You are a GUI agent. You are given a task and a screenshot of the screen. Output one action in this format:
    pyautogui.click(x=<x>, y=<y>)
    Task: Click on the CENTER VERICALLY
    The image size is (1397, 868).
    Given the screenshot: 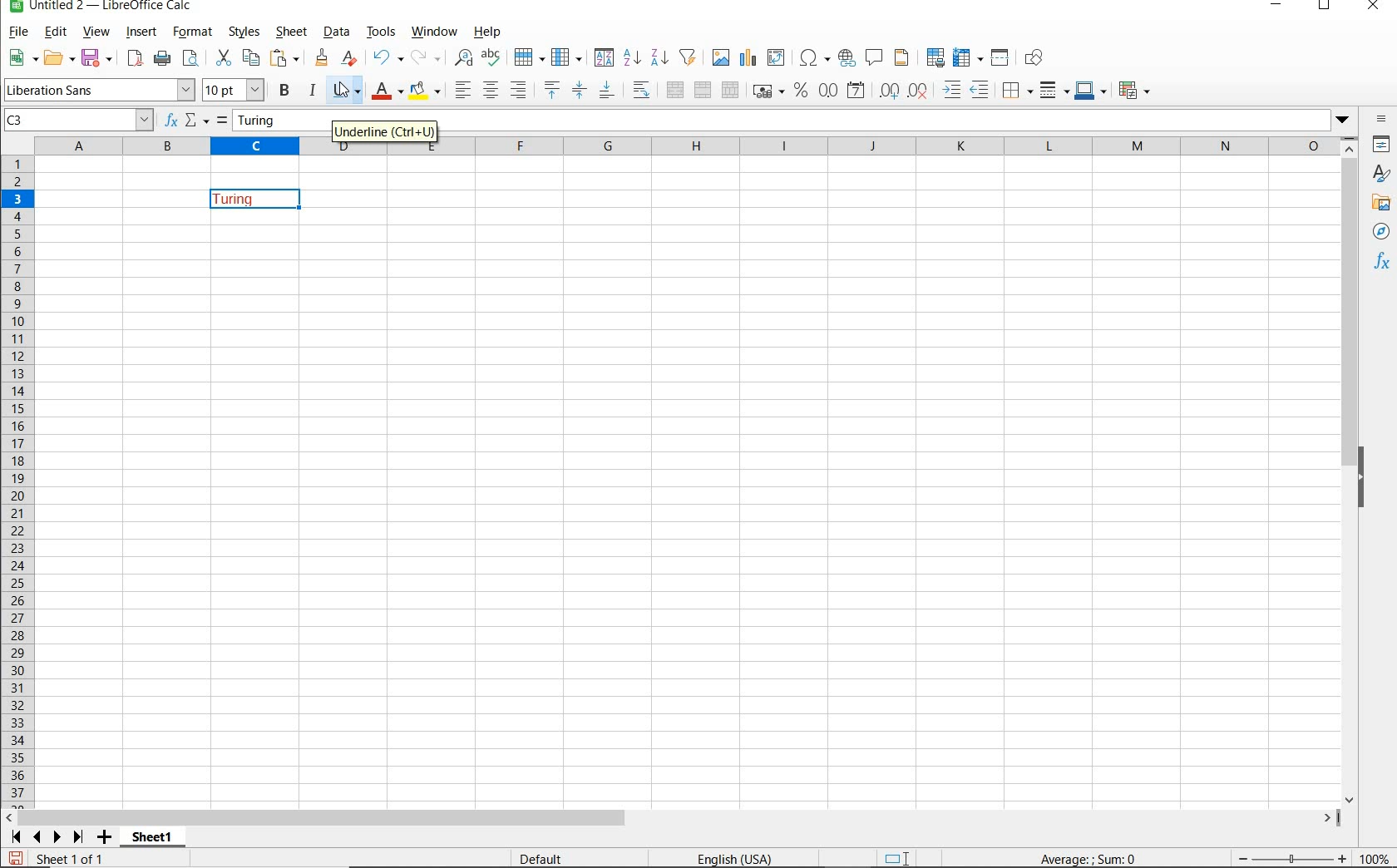 What is the action you would take?
    pyautogui.click(x=580, y=92)
    